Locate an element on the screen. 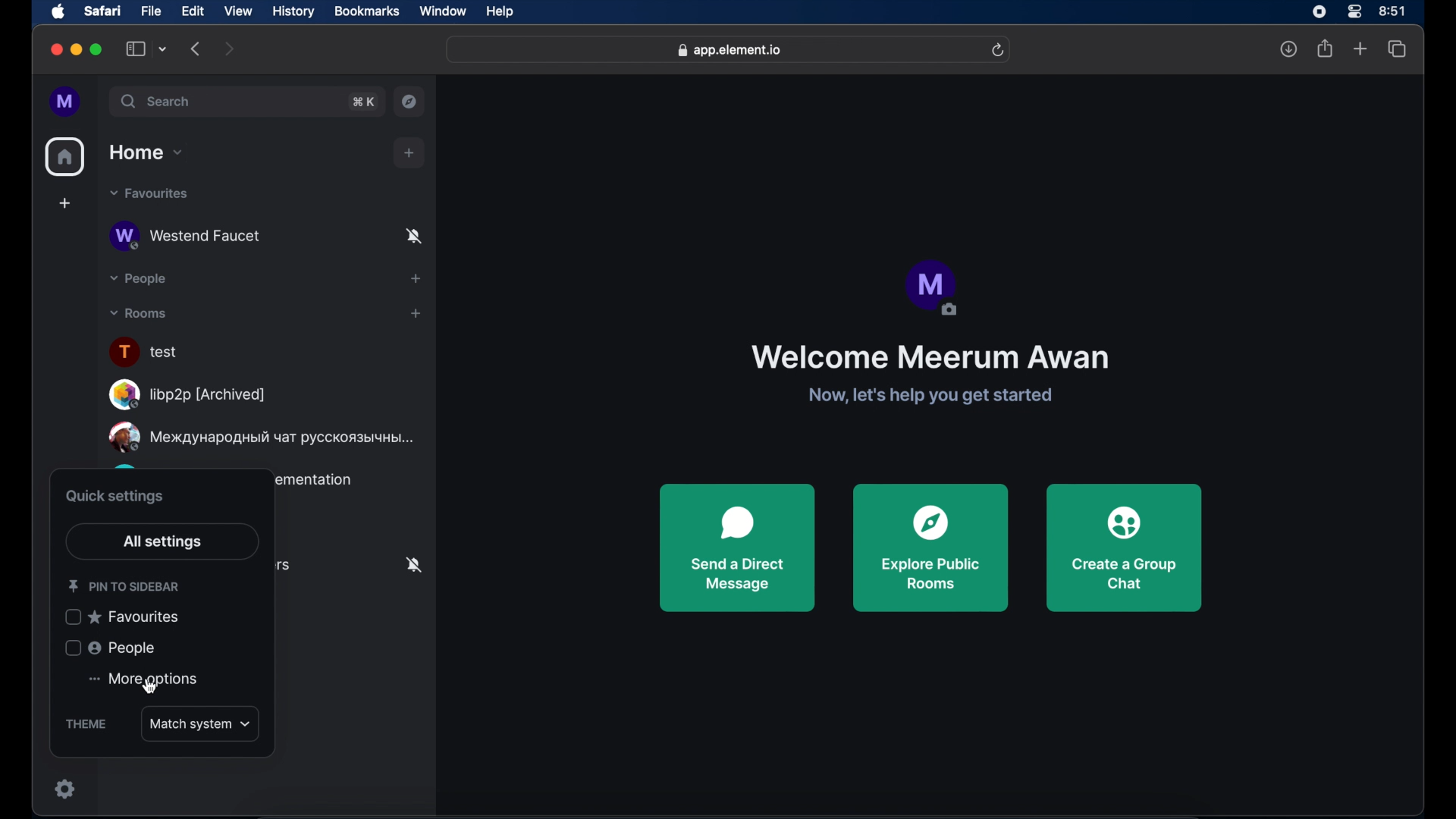  control center is located at coordinates (1353, 11).